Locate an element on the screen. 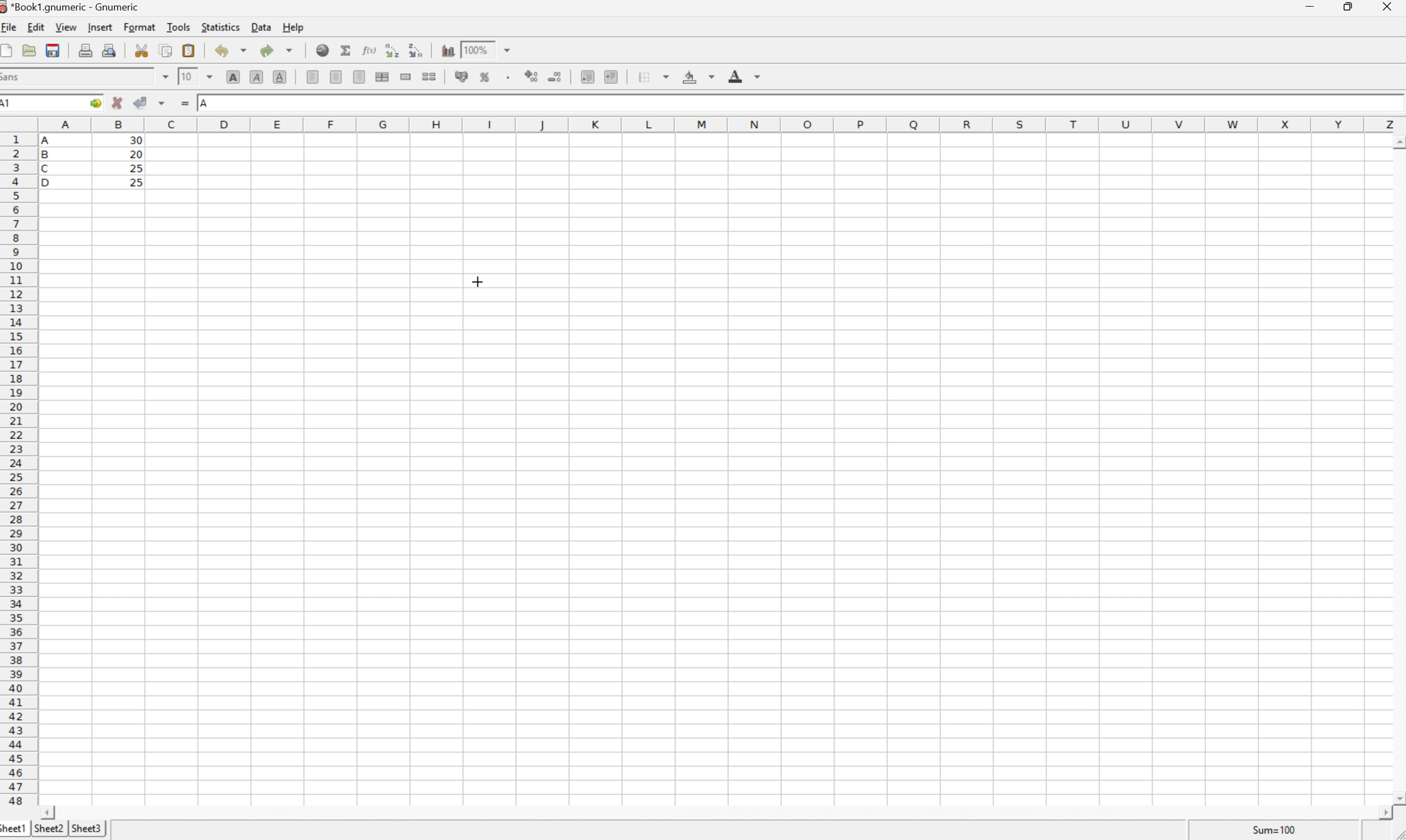  Create a new workbook is located at coordinates (9, 50).